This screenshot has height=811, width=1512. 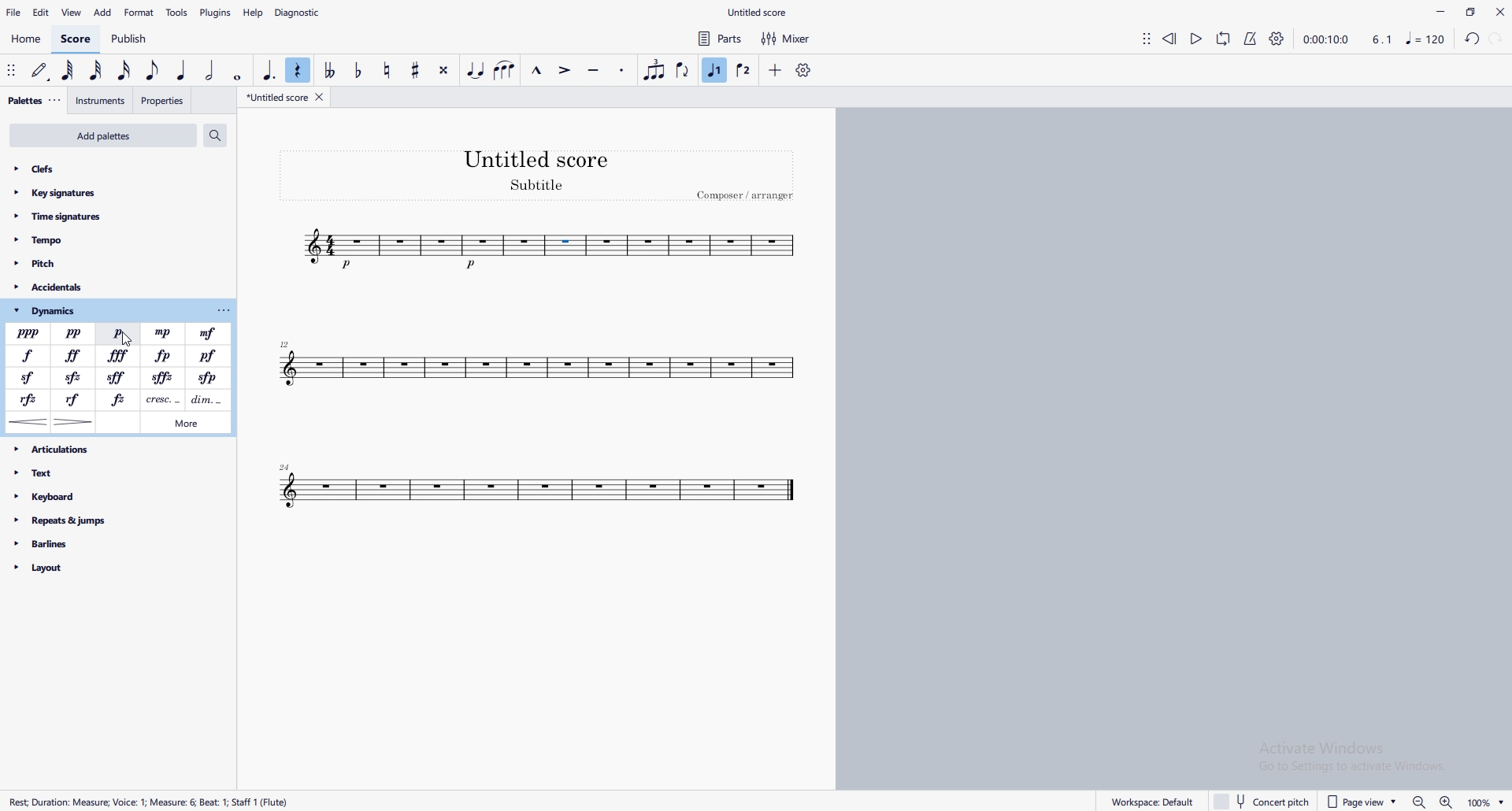 What do you see at coordinates (1251, 38) in the screenshot?
I see `metronome` at bounding box center [1251, 38].